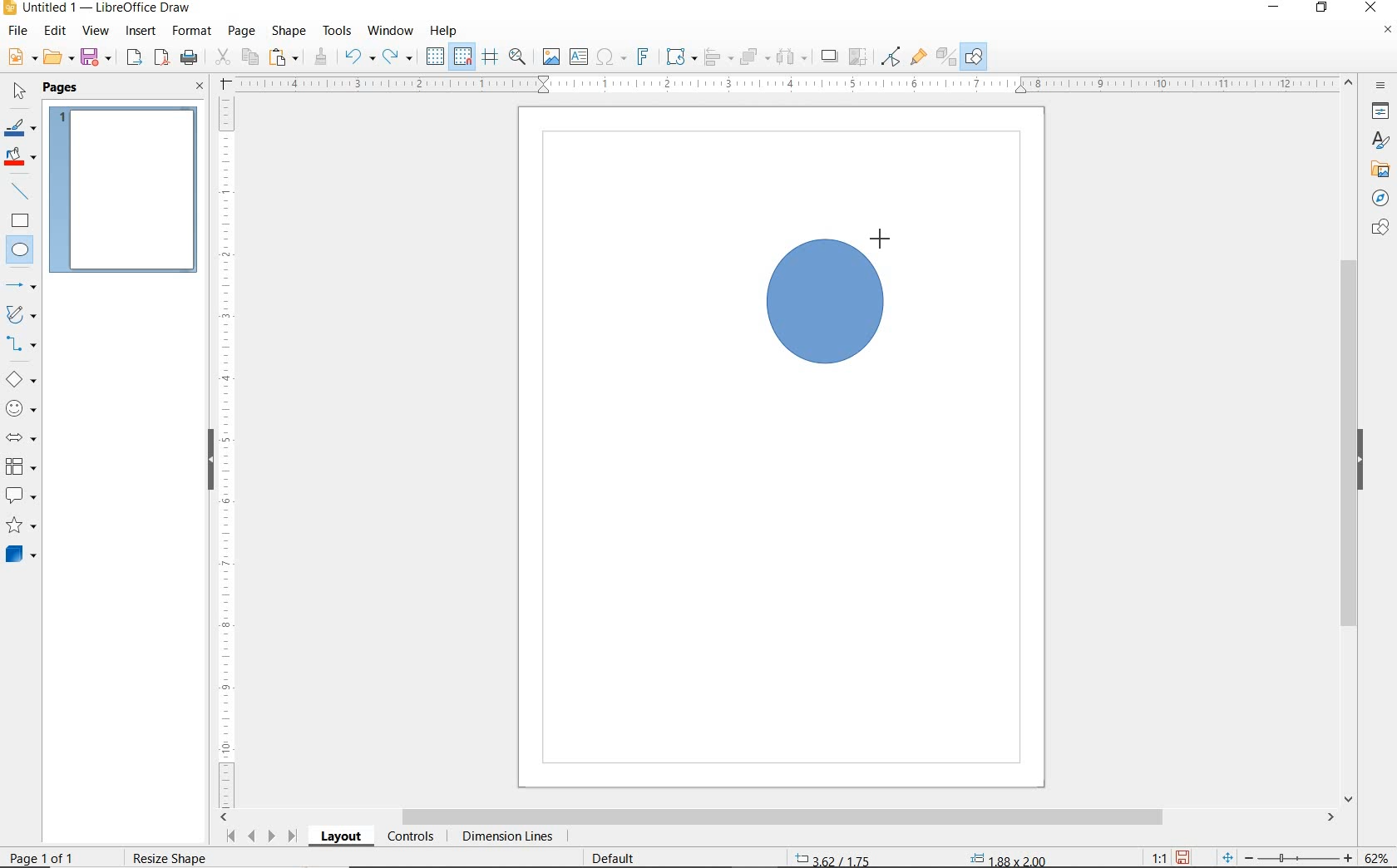 This screenshot has height=868, width=1397. Describe the element at coordinates (1151, 857) in the screenshot. I see `SCALE FACTOR` at that location.